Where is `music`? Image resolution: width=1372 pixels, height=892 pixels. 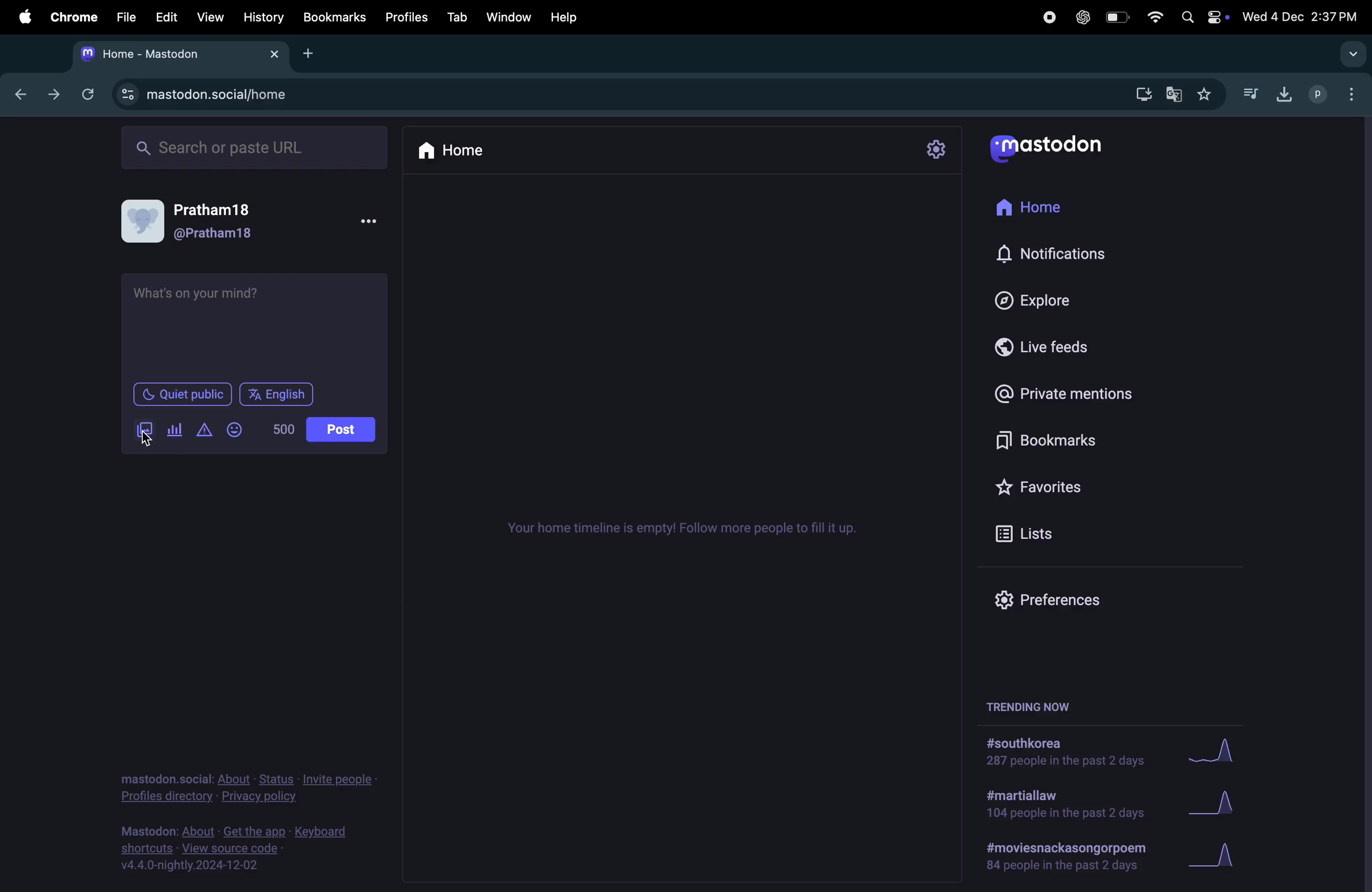 music is located at coordinates (1250, 93).